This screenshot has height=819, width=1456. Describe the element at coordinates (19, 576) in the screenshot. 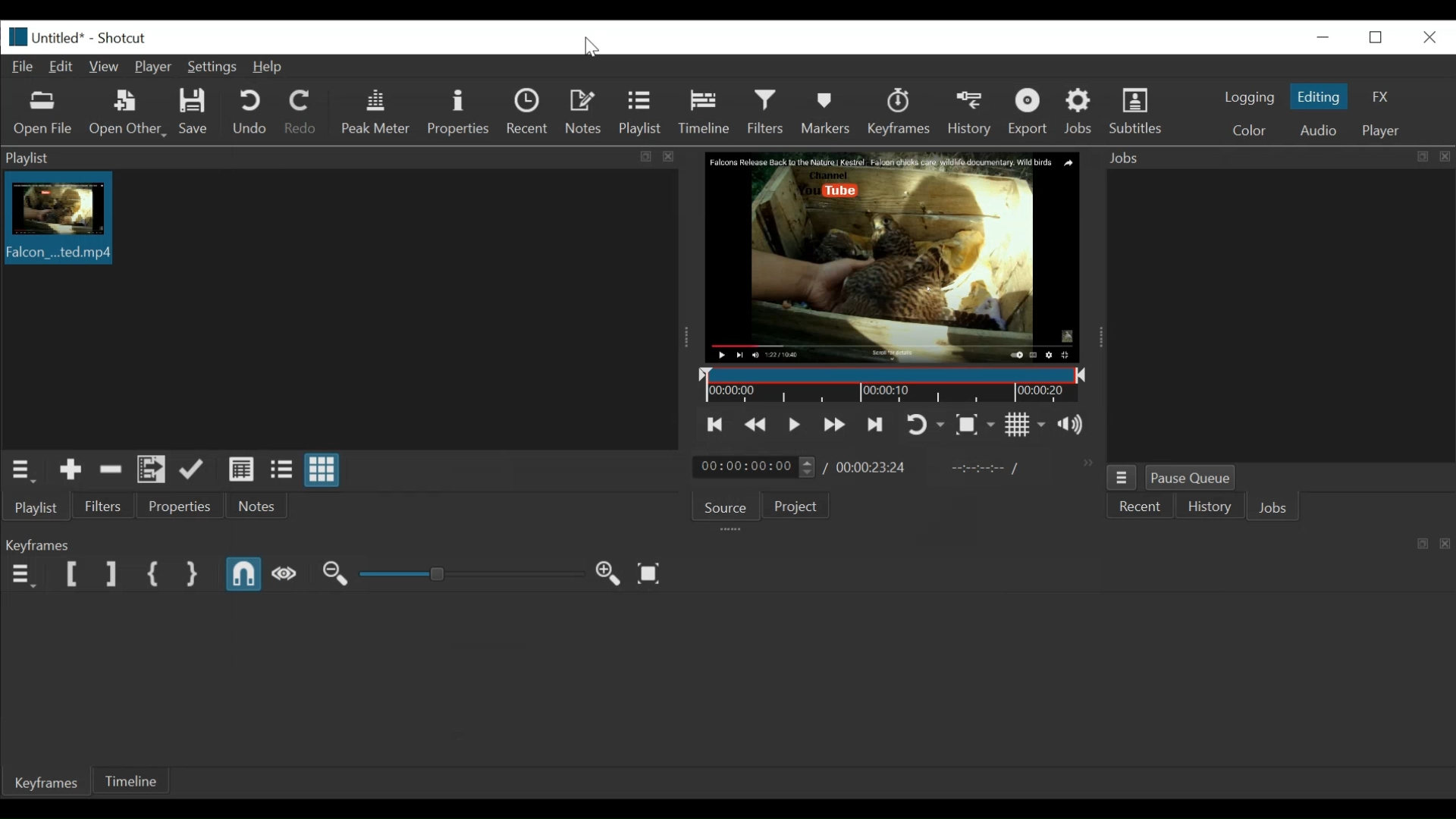

I see `Keyframe menu` at that location.